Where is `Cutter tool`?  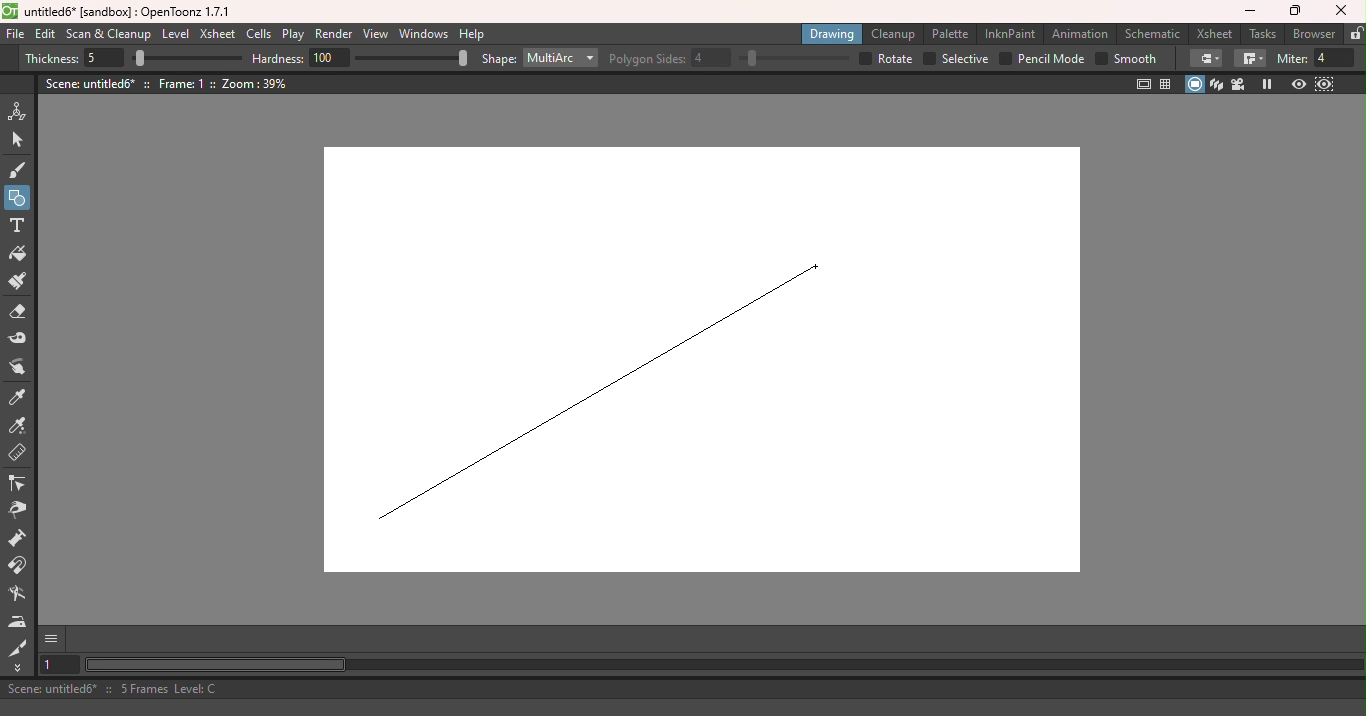
Cutter tool is located at coordinates (15, 646).